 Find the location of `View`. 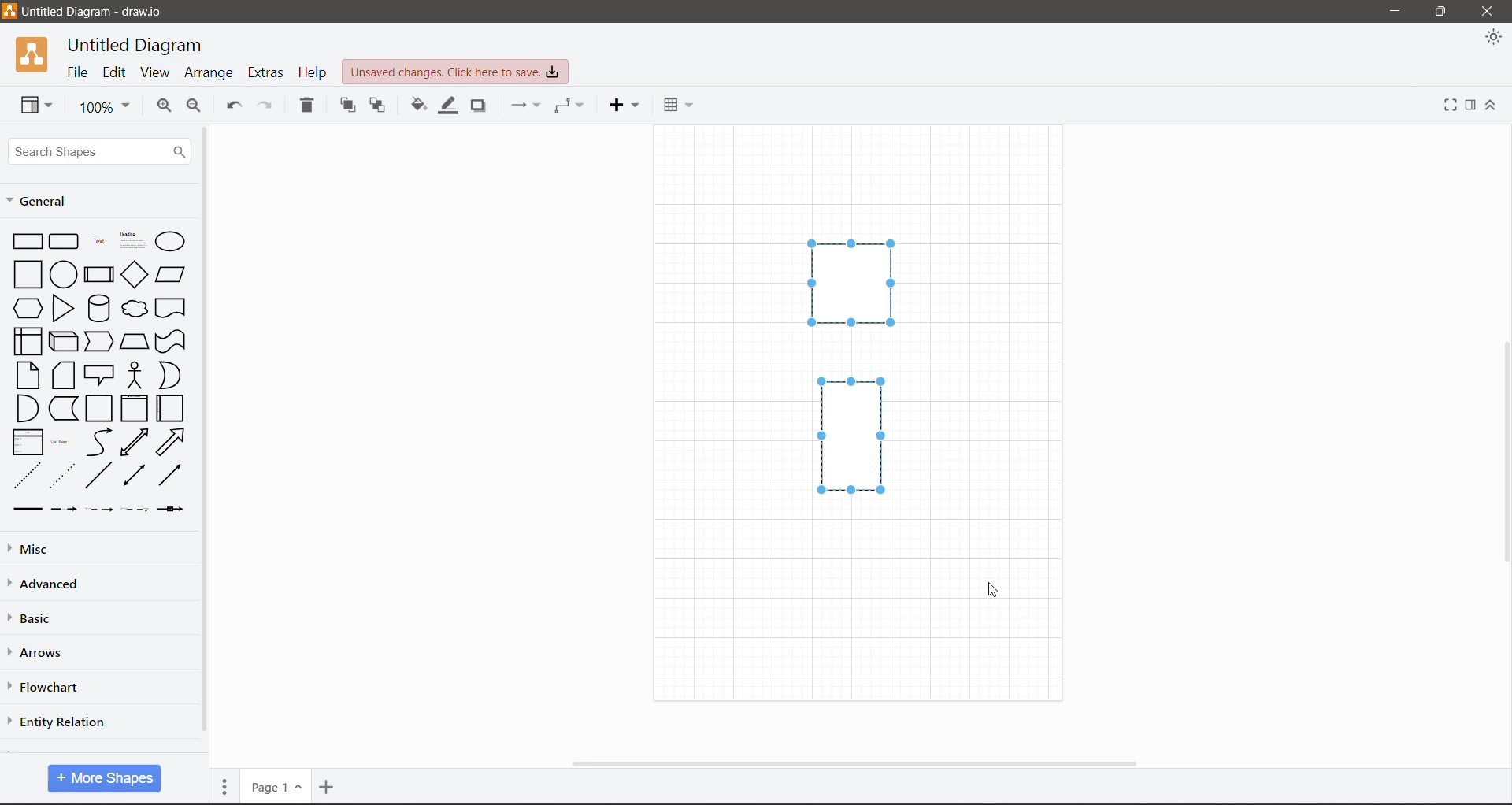

View is located at coordinates (36, 105).